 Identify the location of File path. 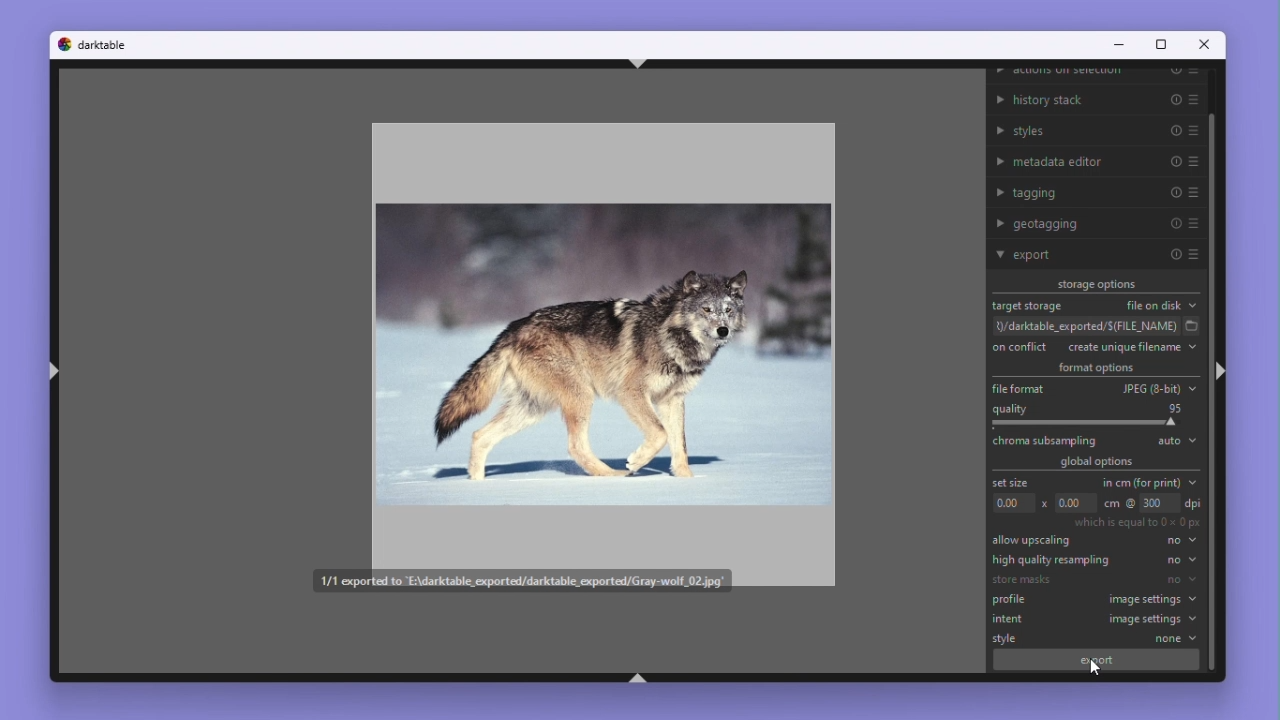
(1085, 327).